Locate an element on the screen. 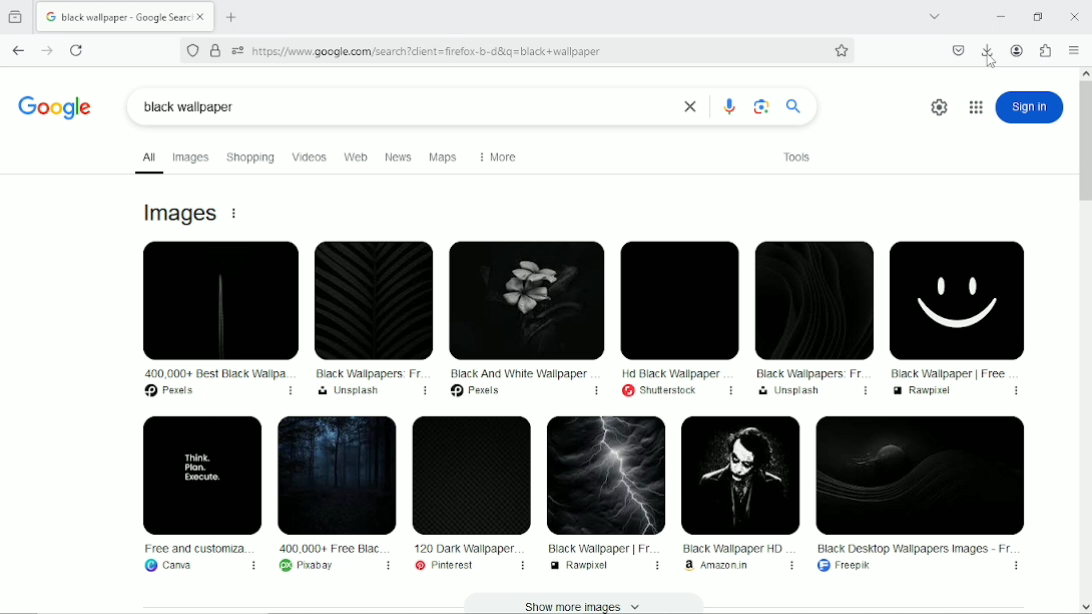  Reload current page is located at coordinates (78, 49).